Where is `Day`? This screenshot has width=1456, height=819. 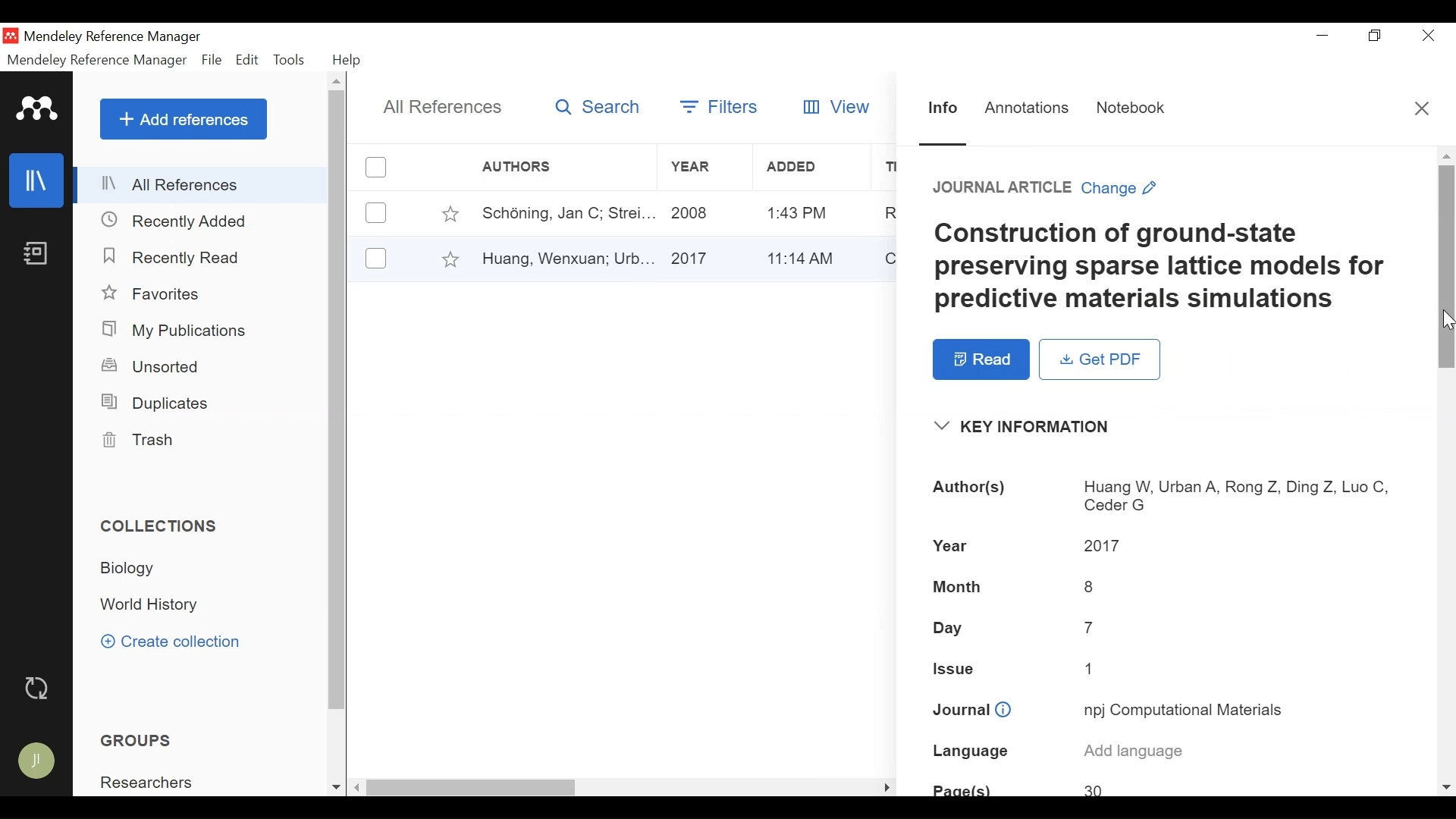
Day is located at coordinates (1166, 628).